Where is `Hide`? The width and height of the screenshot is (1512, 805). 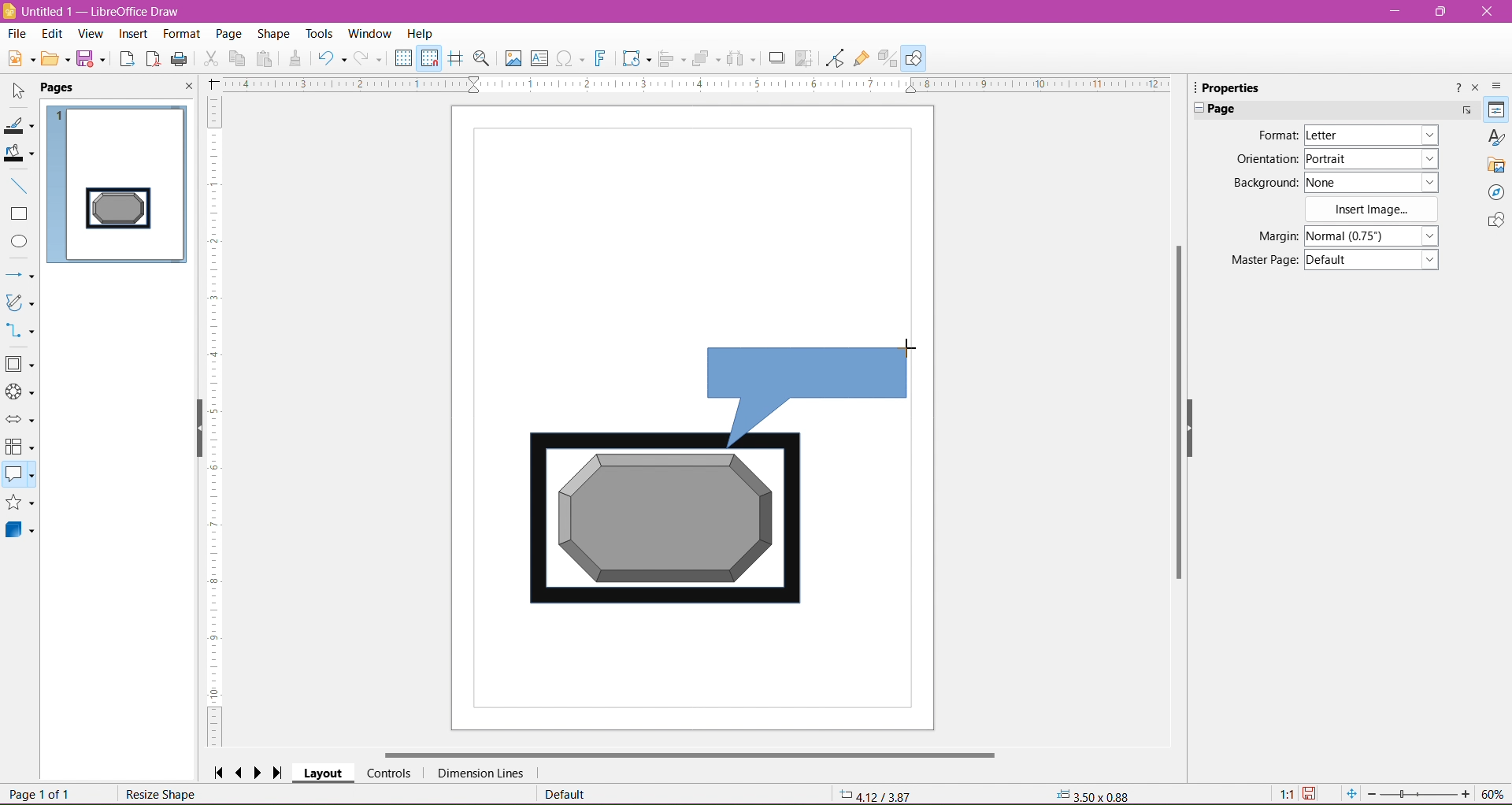
Hide is located at coordinates (194, 432).